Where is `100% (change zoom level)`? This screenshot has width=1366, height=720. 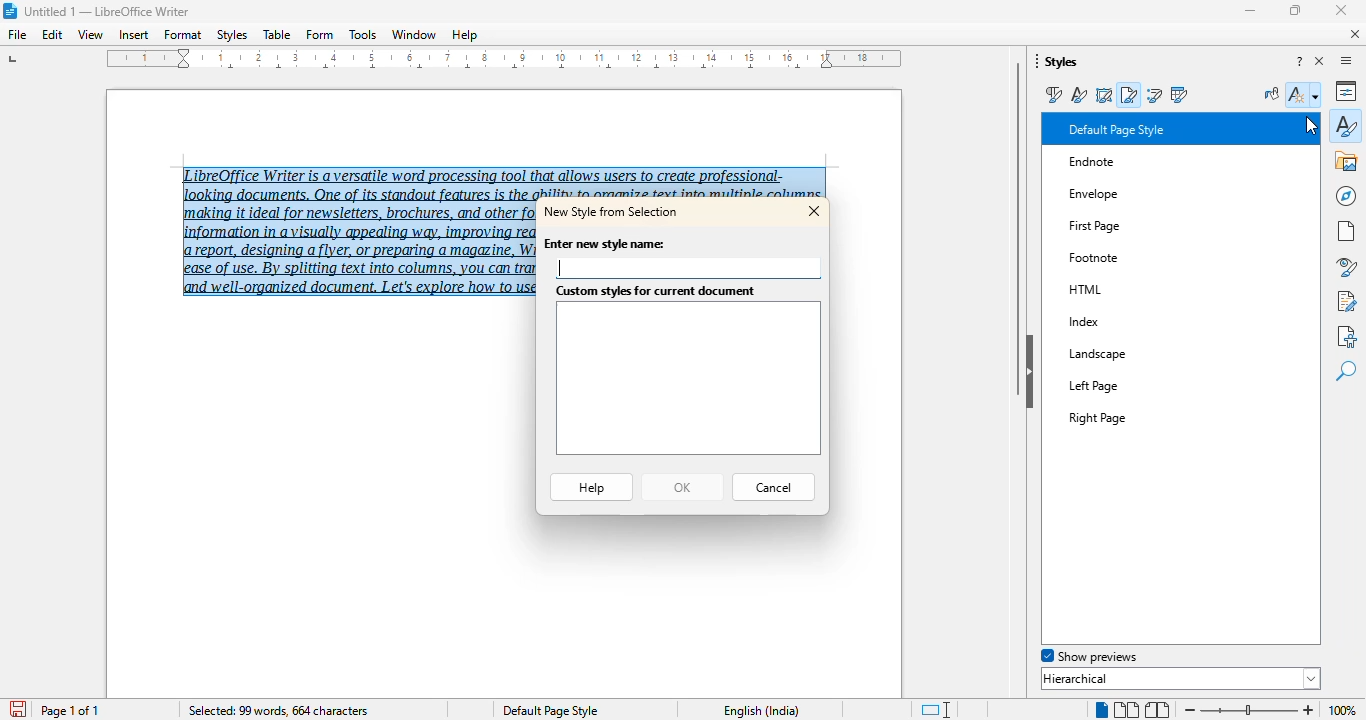
100% (change zoom level) is located at coordinates (1345, 711).